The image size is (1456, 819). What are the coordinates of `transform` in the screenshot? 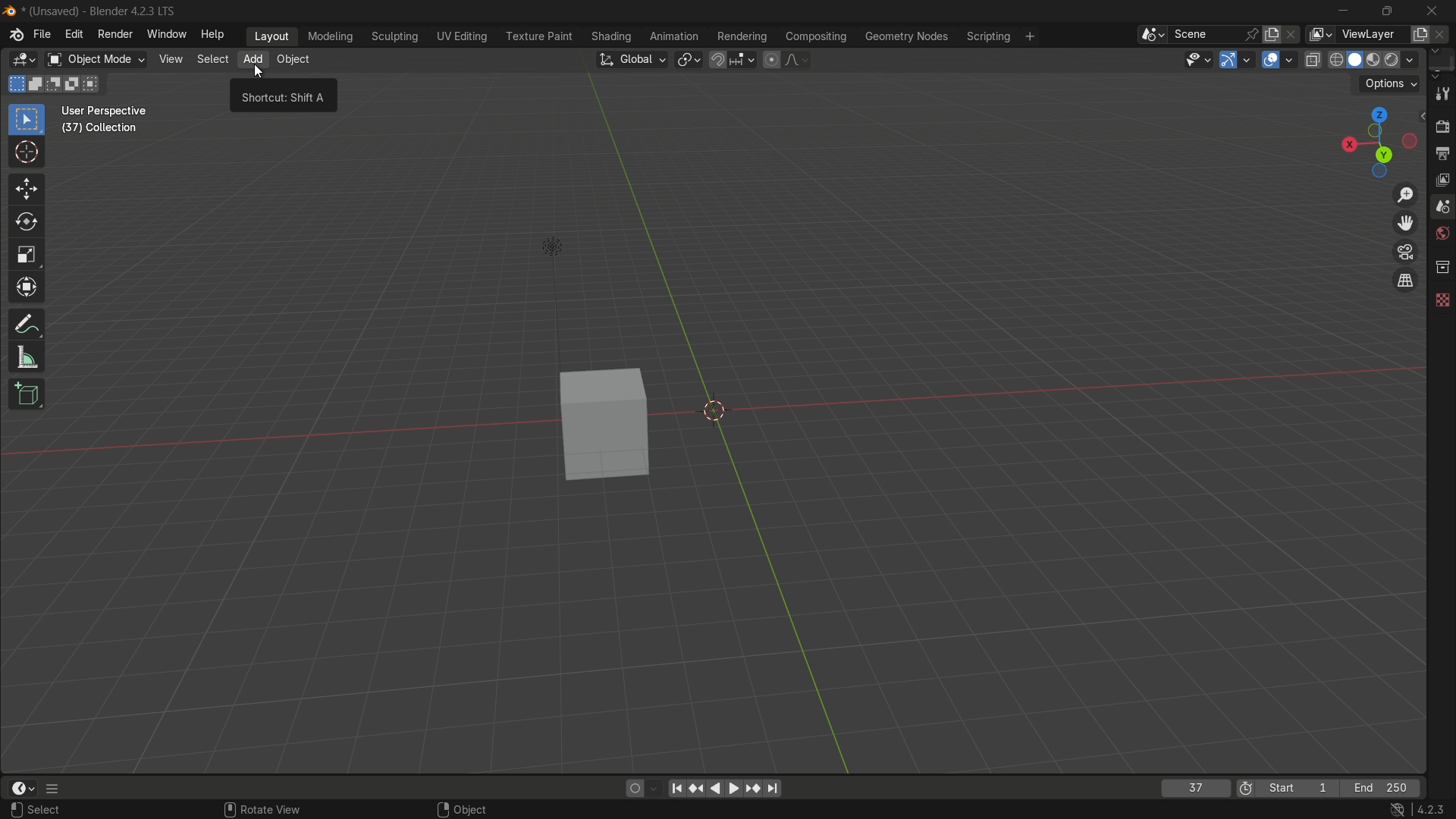 It's located at (27, 290).